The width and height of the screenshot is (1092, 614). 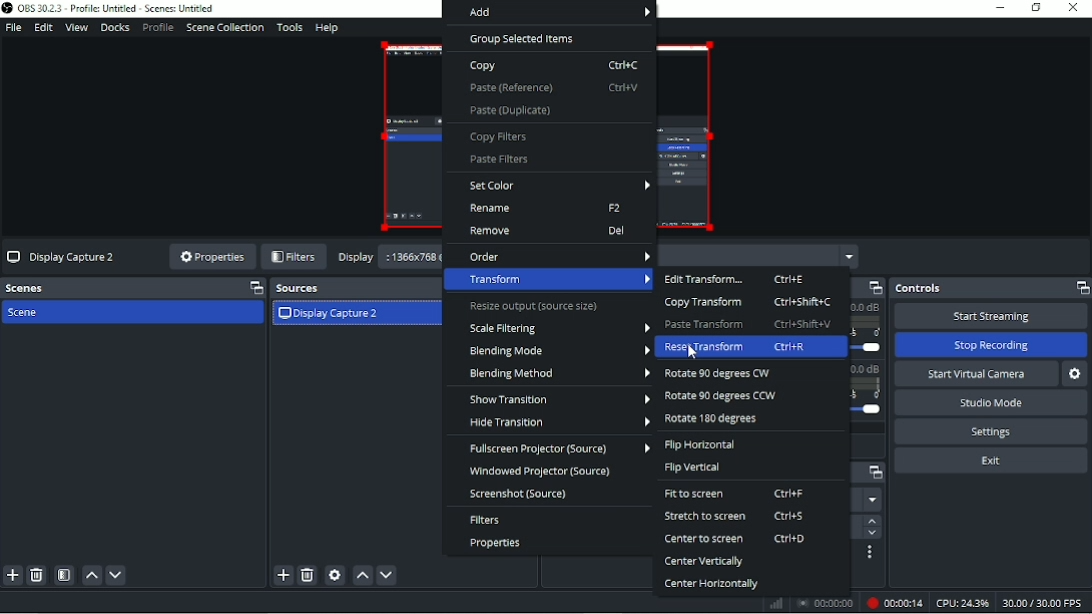 What do you see at coordinates (363, 575) in the screenshot?
I see `Move source(s) up` at bounding box center [363, 575].